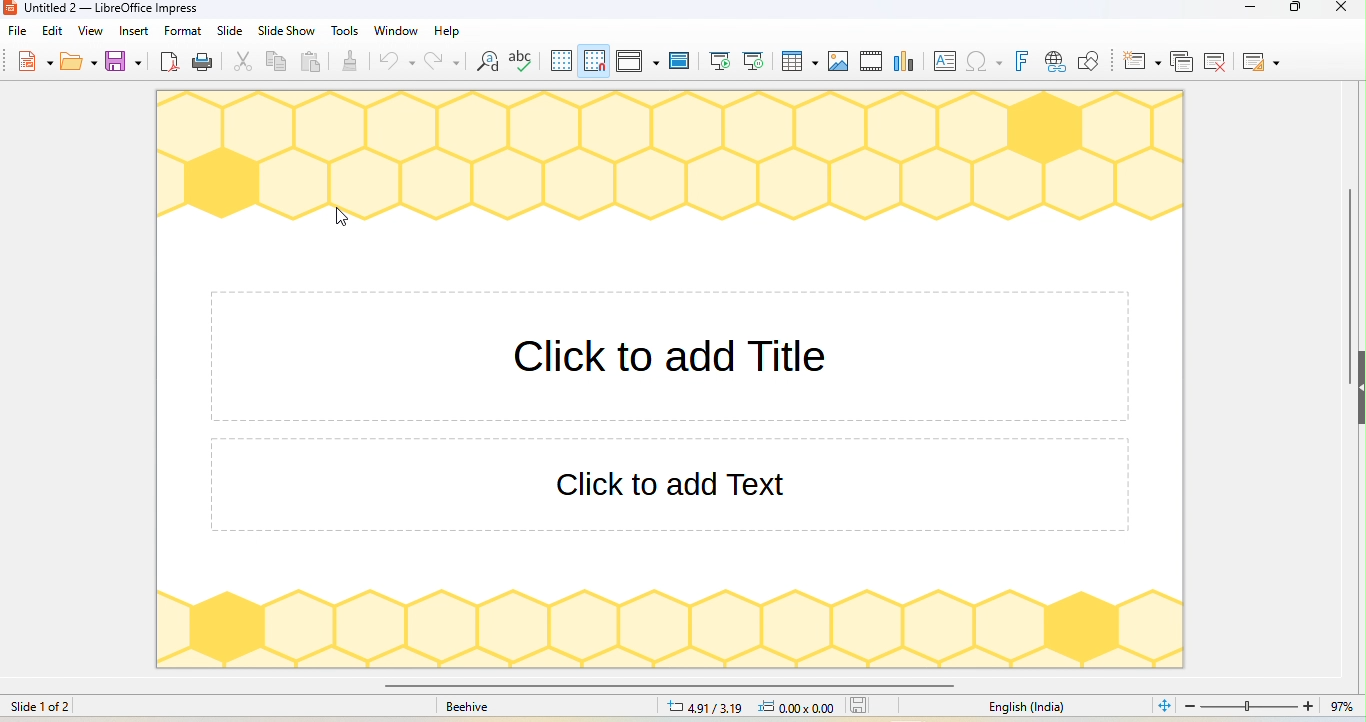  I want to click on table, so click(801, 62).